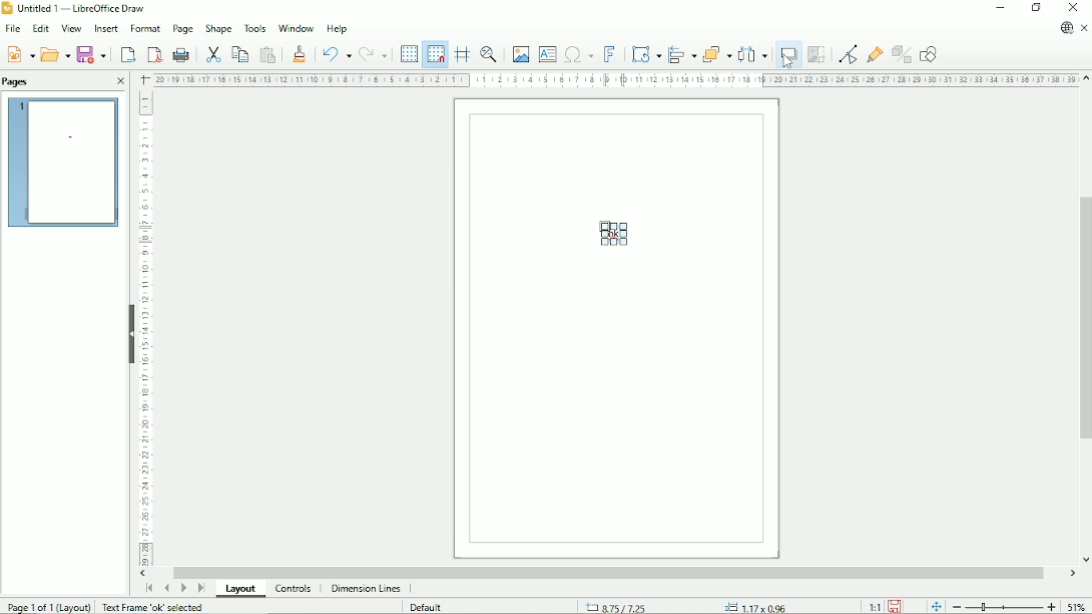  What do you see at coordinates (127, 55) in the screenshot?
I see `Export` at bounding box center [127, 55].